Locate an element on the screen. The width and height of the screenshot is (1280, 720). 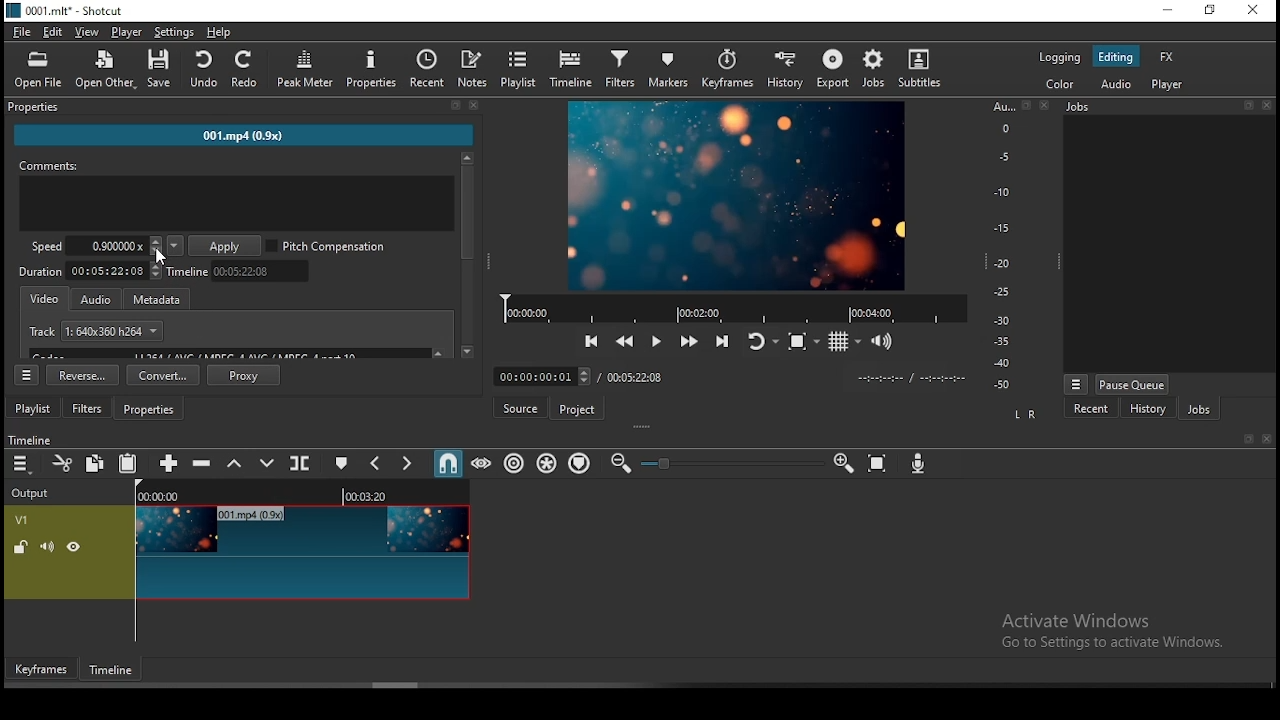
view is located at coordinates (87, 32).